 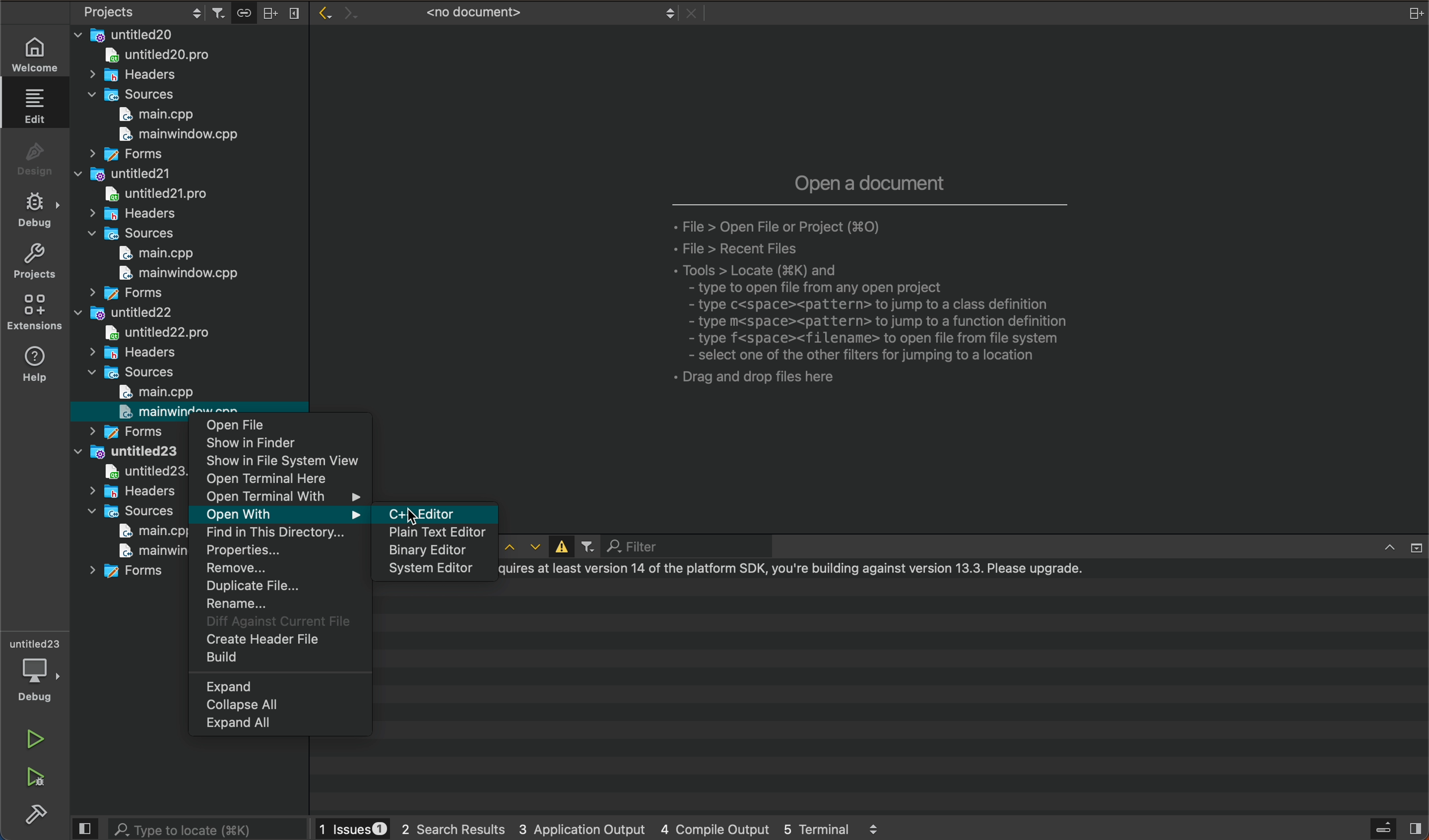 What do you see at coordinates (347, 9) in the screenshot?
I see `next` at bounding box center [347, 9].